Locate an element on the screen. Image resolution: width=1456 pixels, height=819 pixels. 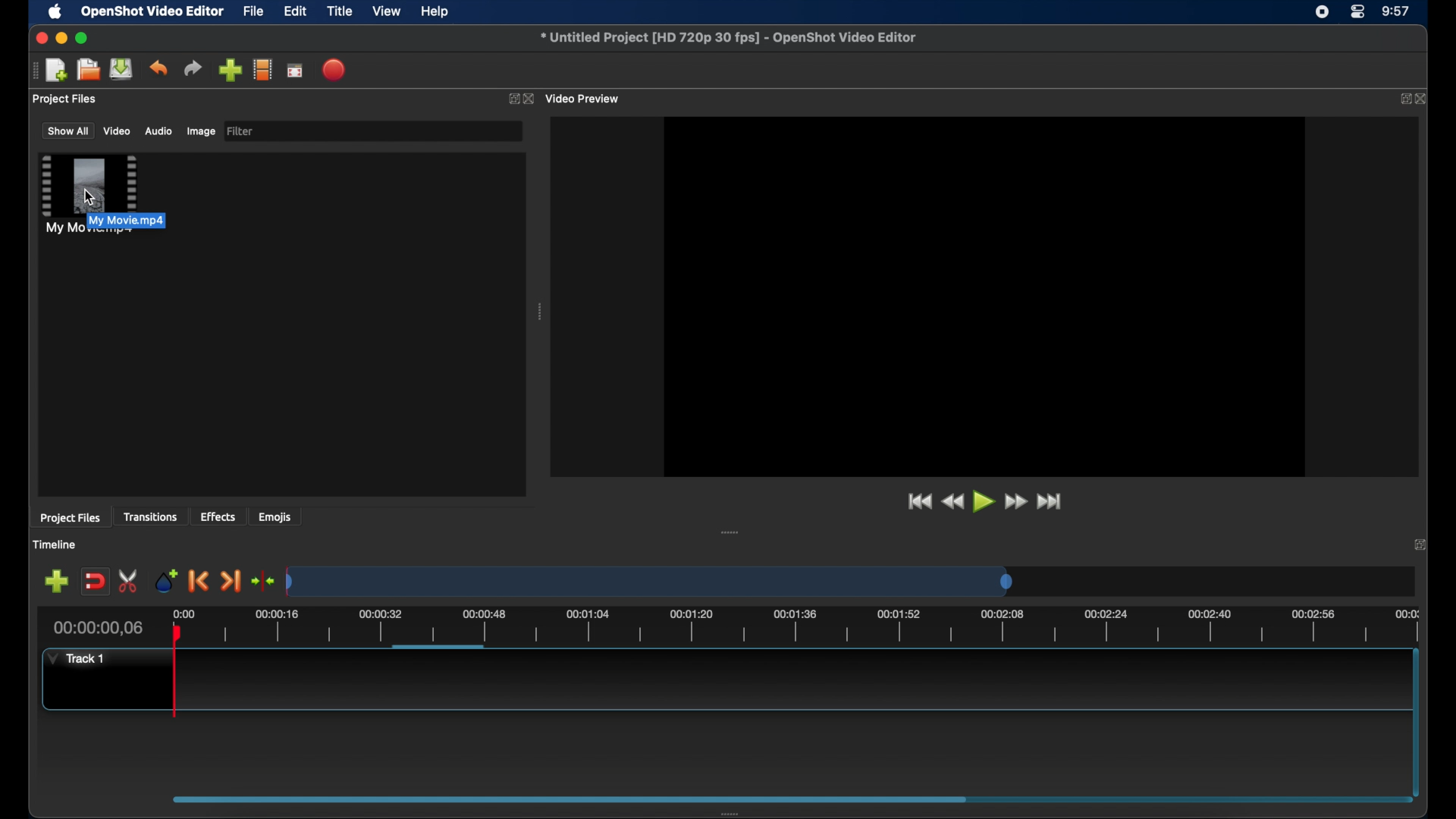
jumpt to start is located at coordinates (918, 501).